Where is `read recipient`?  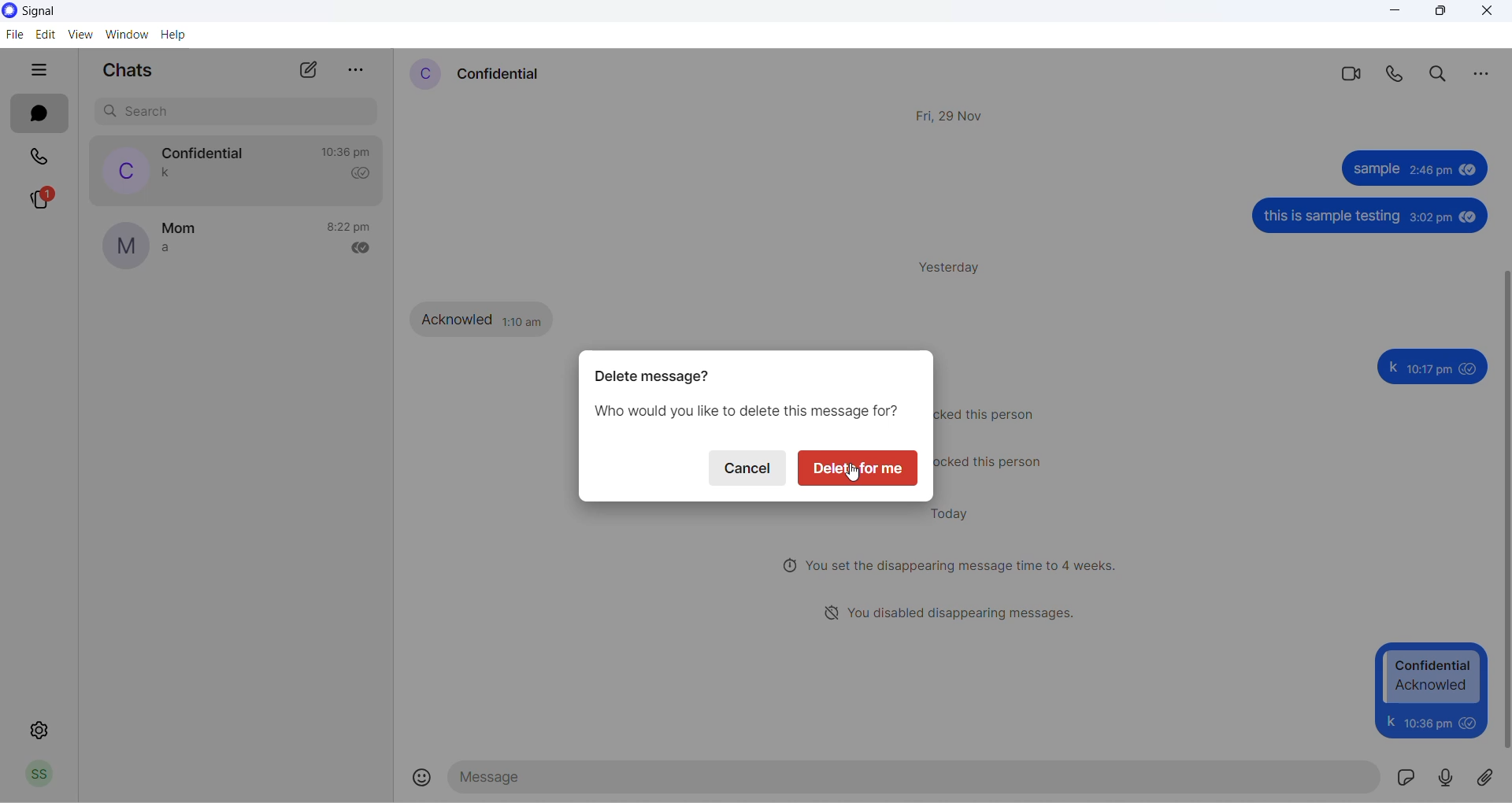
read recipient is located at coordinates (366, 250).